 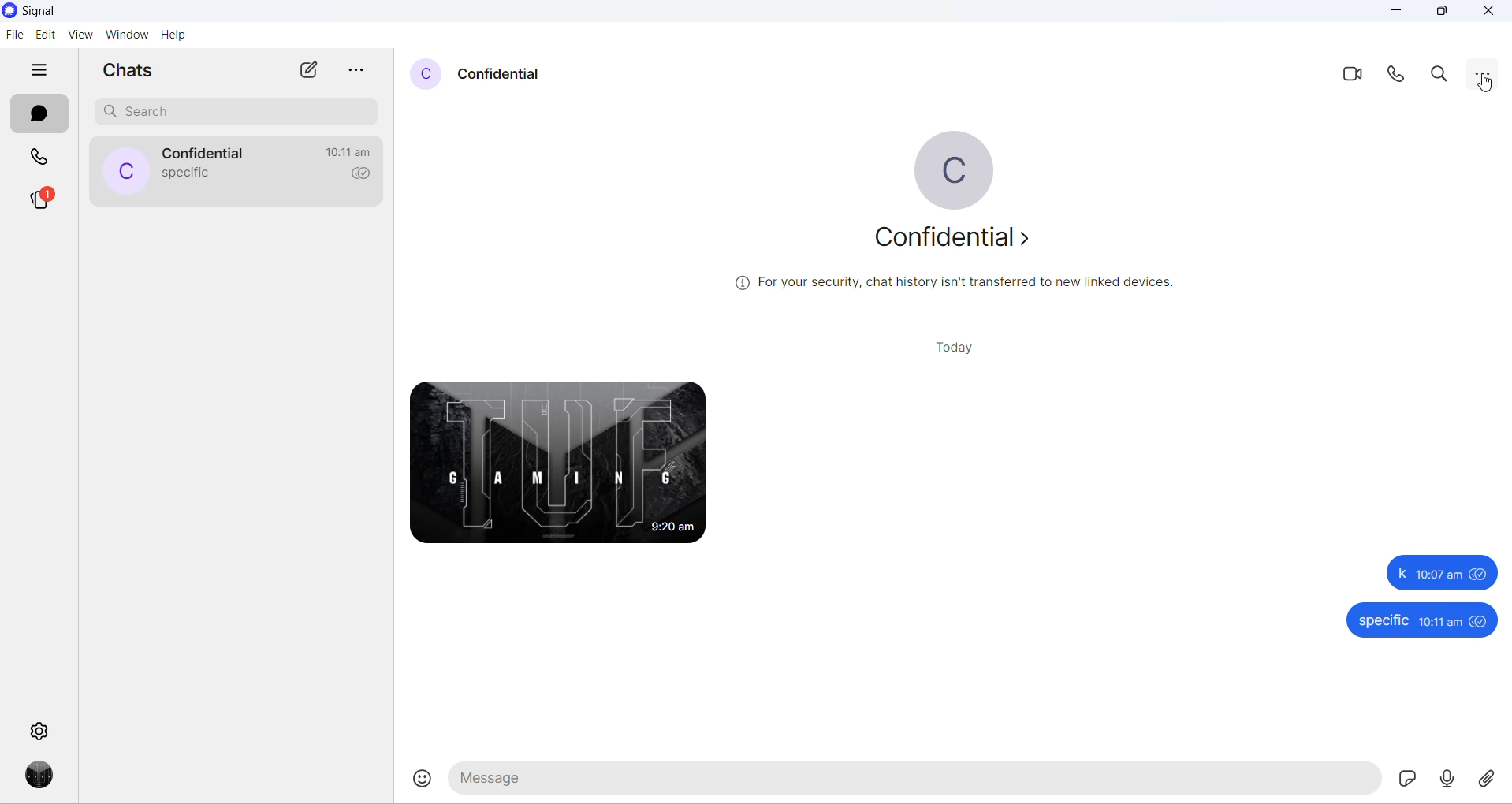 What do you see at coordinates (955, 281) in the screenshot?
I see `security related text` at bounding box center [955, 281].